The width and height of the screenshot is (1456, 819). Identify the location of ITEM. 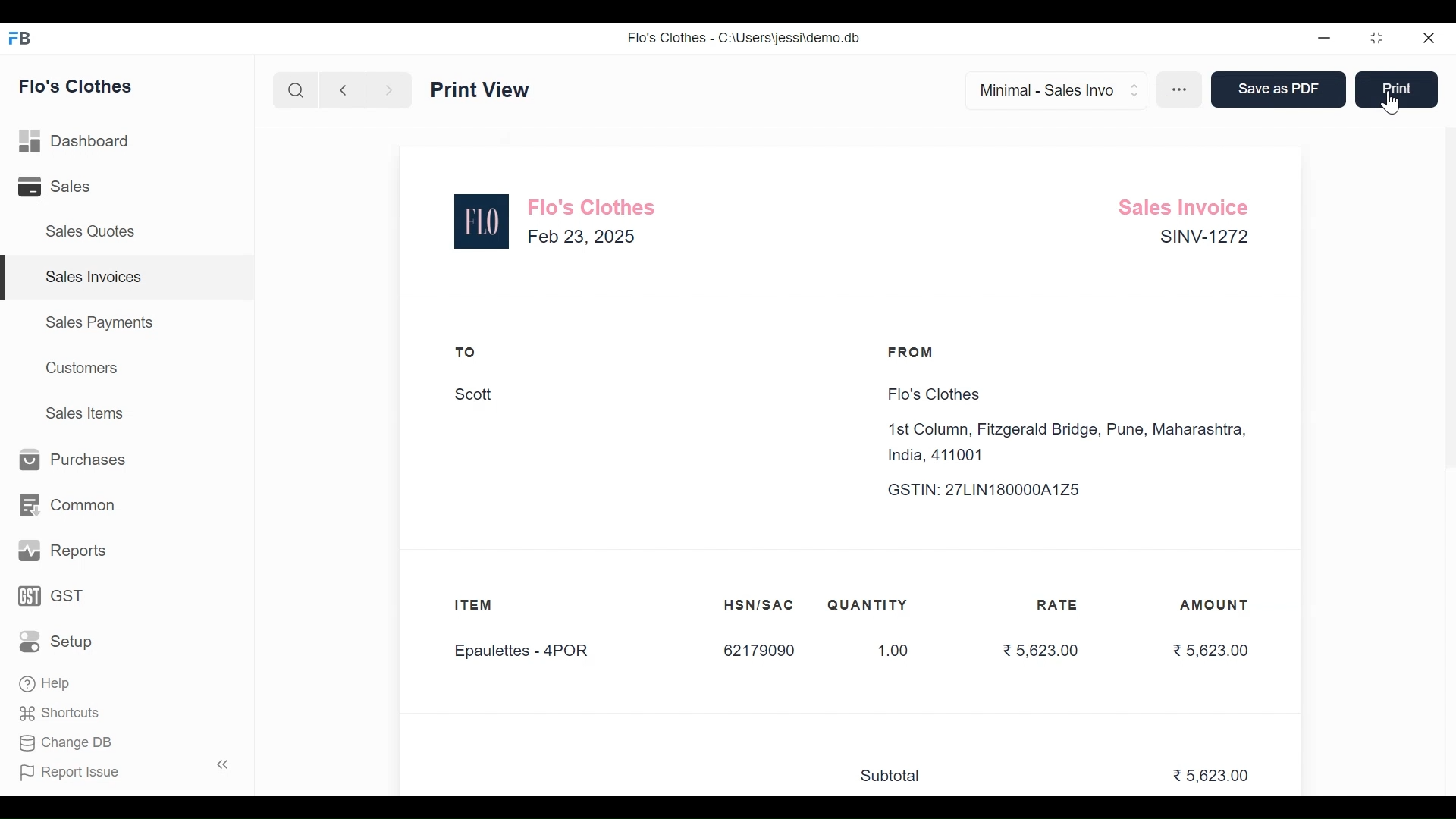
(488, 607).